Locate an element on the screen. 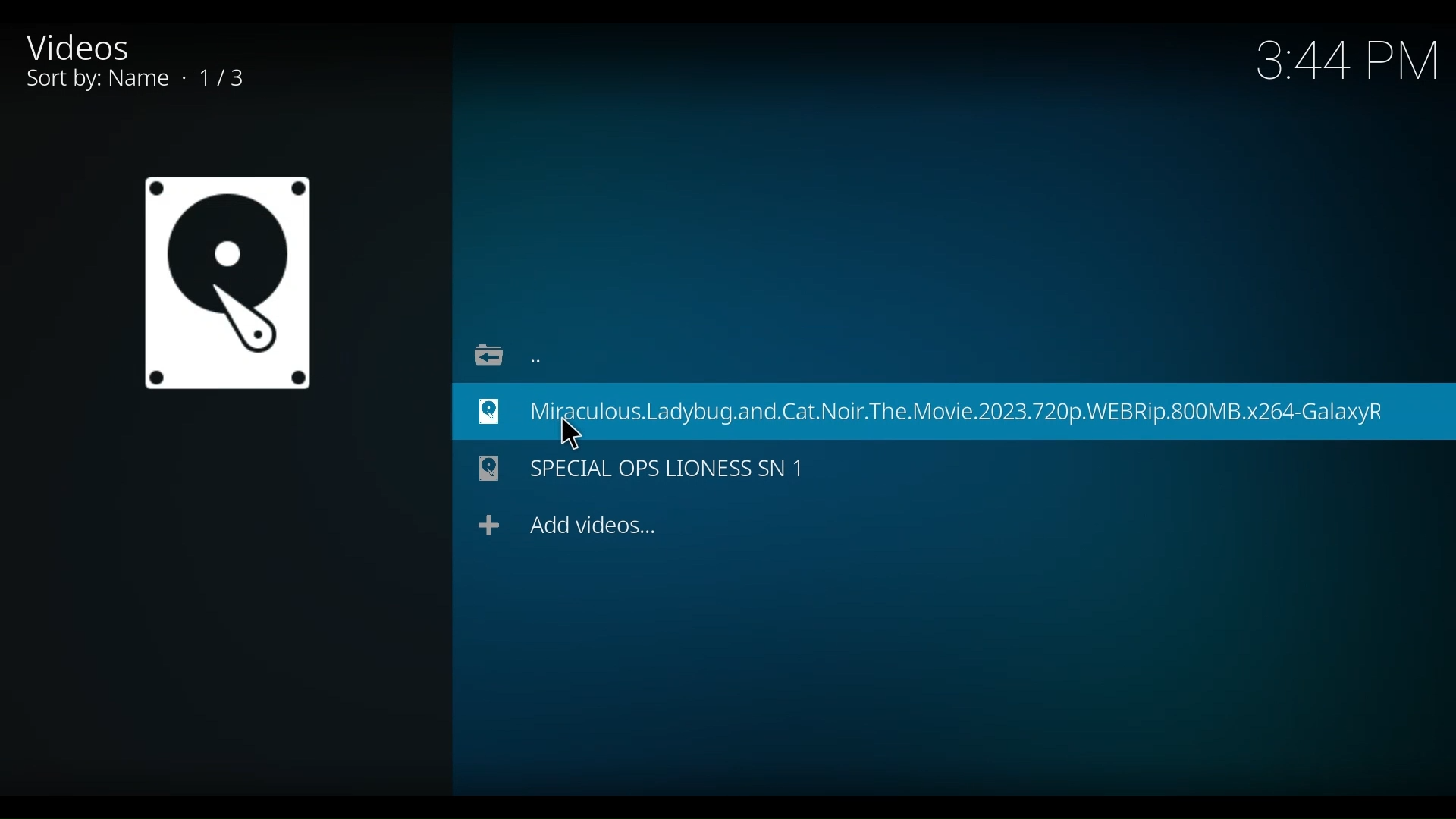 The height and width of the screenshot is (819, 1456). Go Back is located at coordinates (502, 352).